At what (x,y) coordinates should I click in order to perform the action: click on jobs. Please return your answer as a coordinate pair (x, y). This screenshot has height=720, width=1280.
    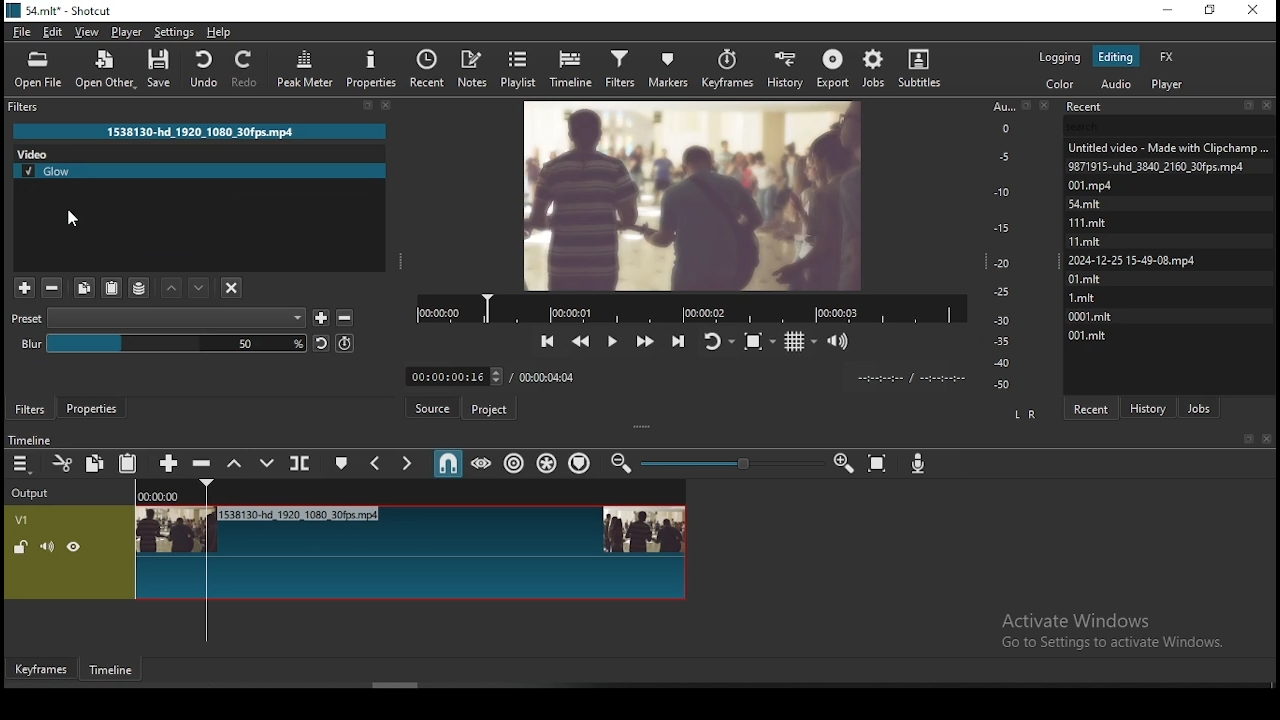
    Looking at the image, I should click on (1199, 406).